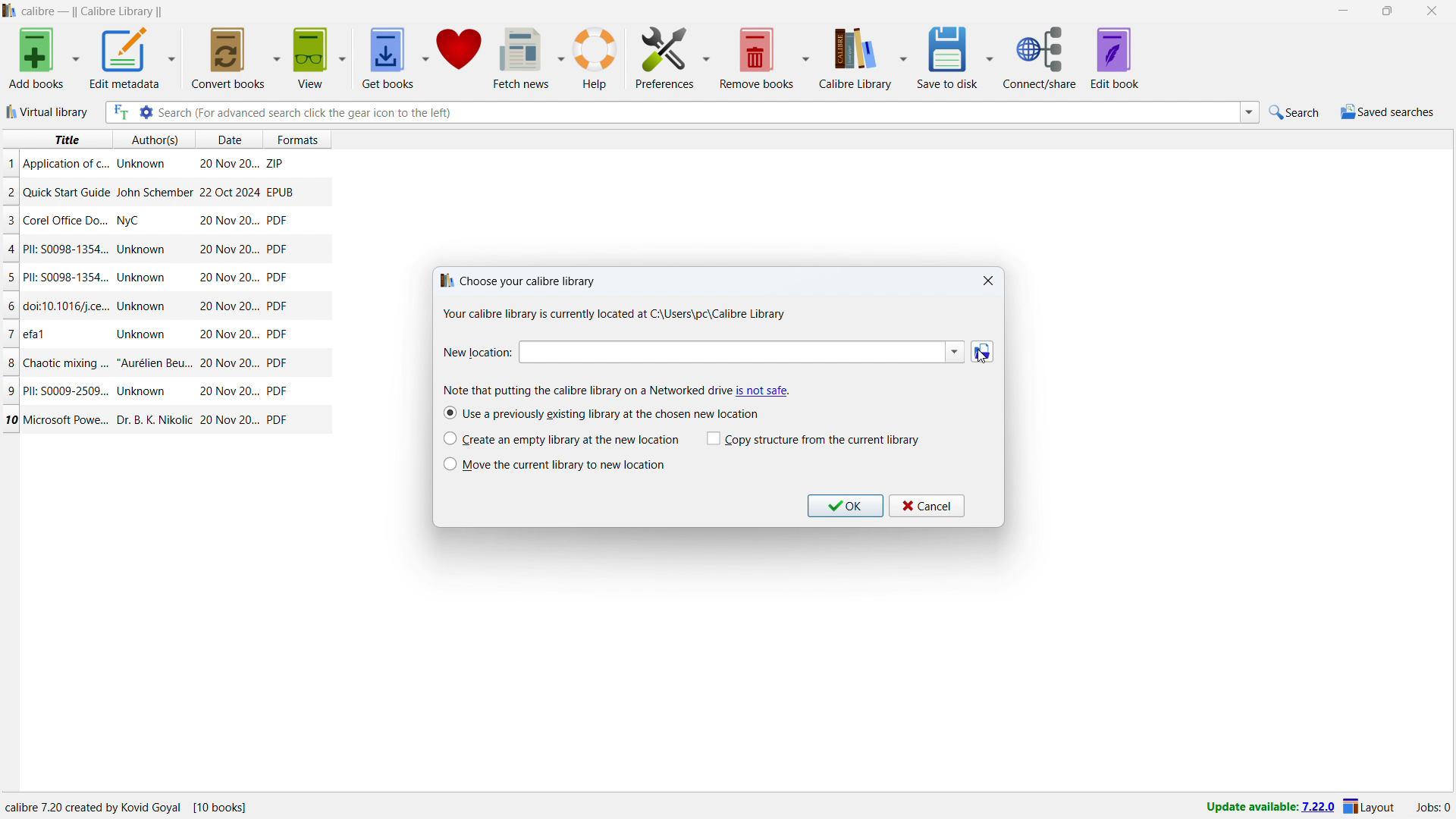  What do you see at coordinates (227, 140) in the screenshot?
I see `date` at bounding box center [227, 140].